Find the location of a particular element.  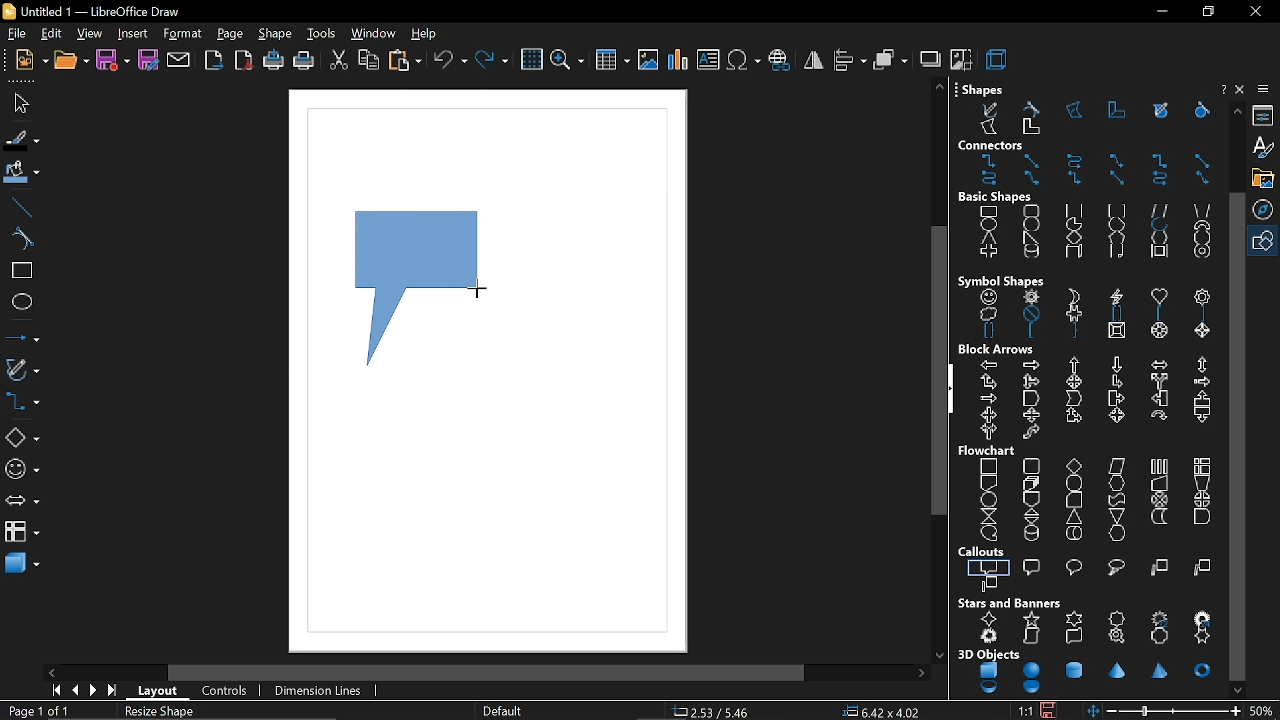

current page is located at coordinates (40, 712).